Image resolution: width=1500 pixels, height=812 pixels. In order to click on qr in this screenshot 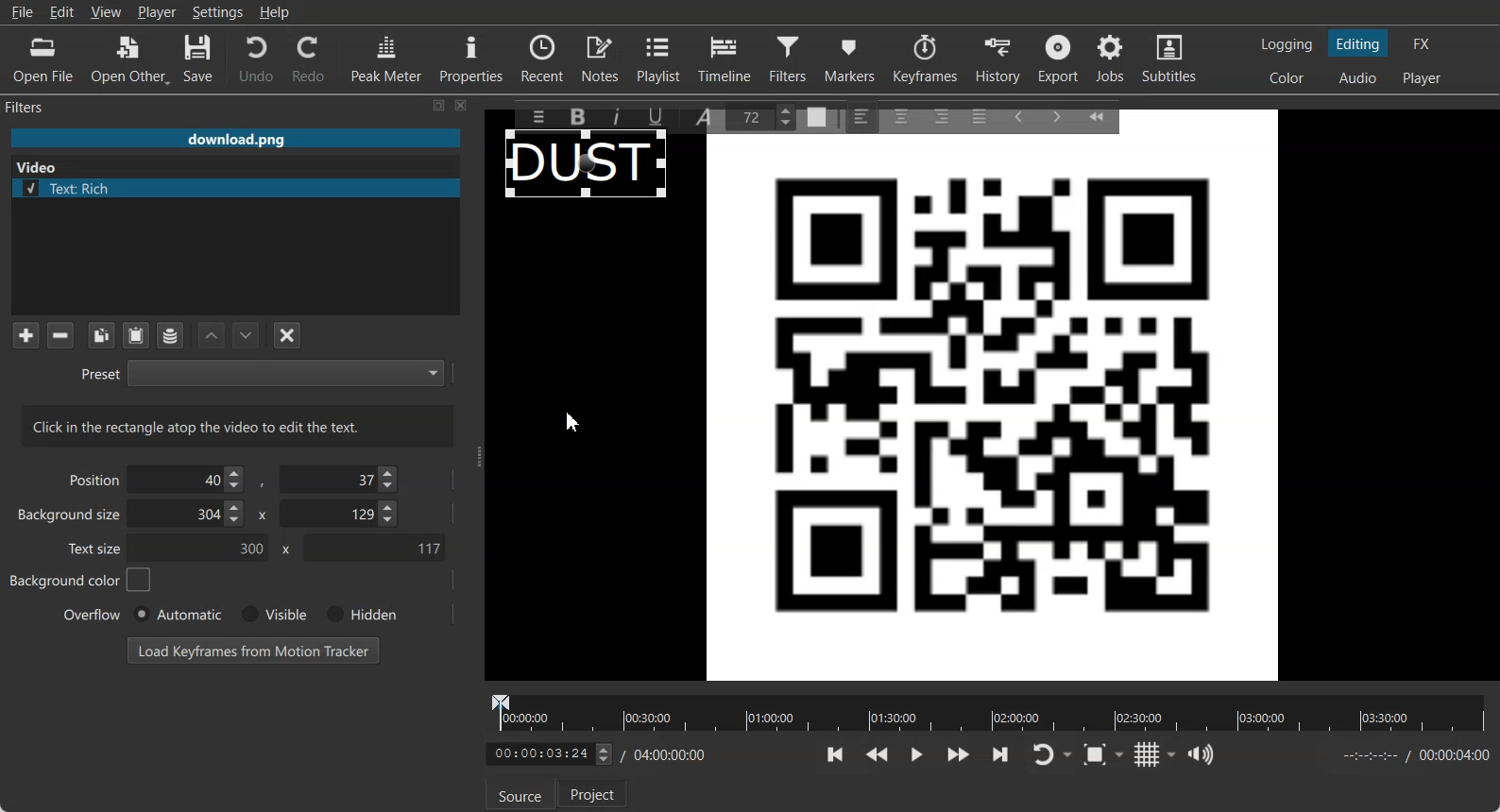, I will do `click(993, 411)`.